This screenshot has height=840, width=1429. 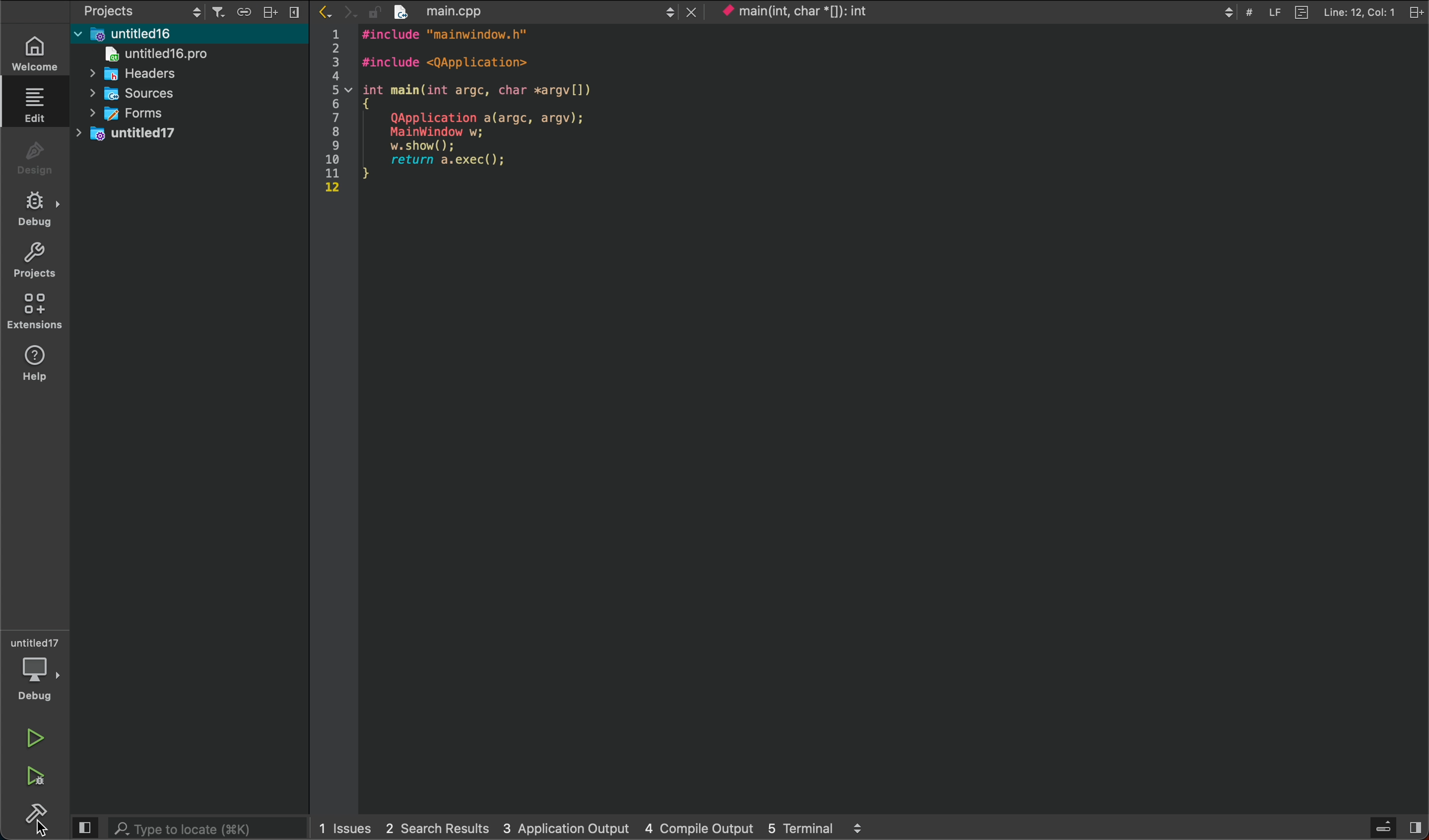 What do you see at coordinates (34, 103) in the screenshot?
I see `edit` at bounding box center [34, 103].